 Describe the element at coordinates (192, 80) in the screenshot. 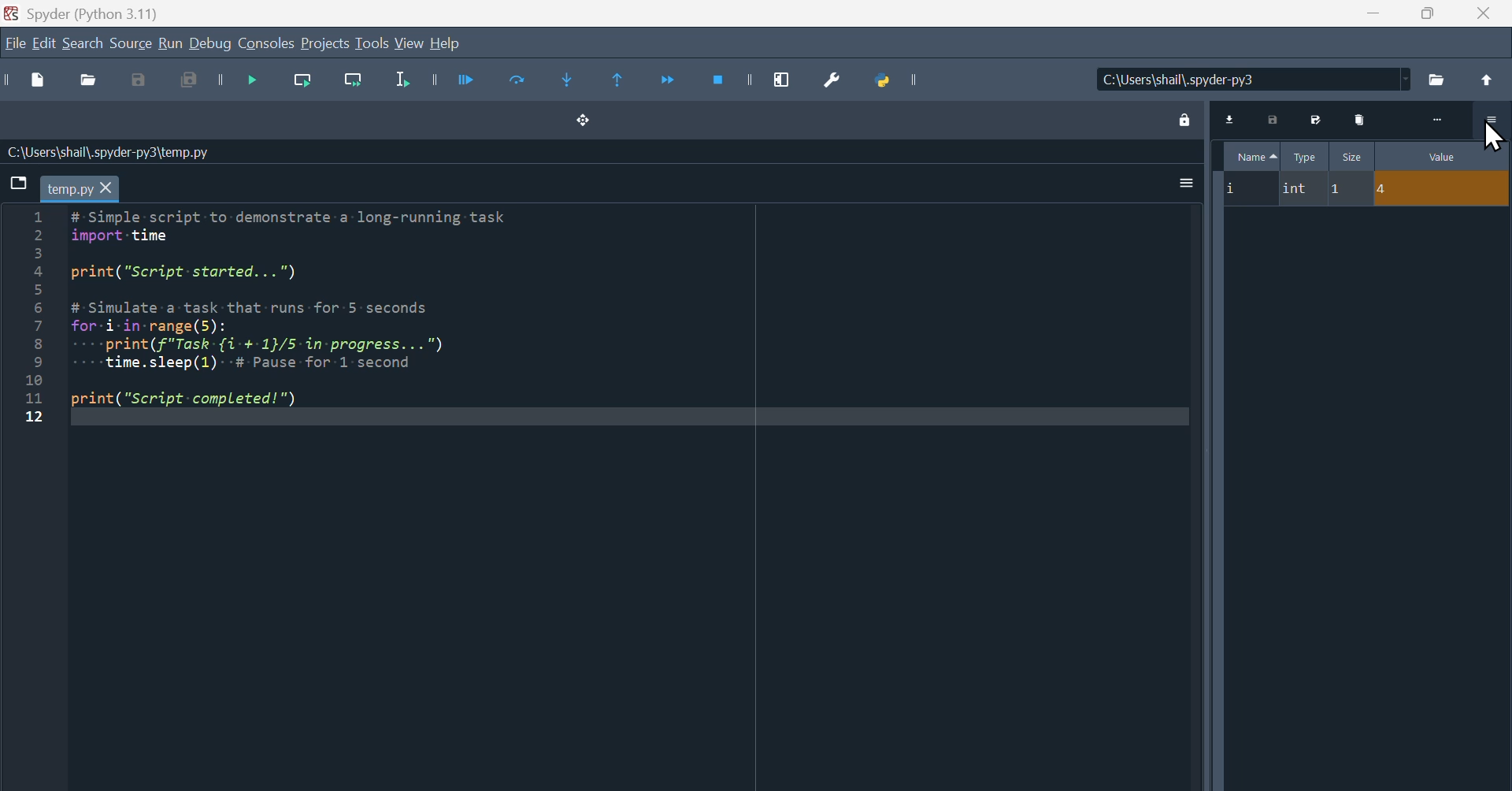

I see `Save all` at that location.